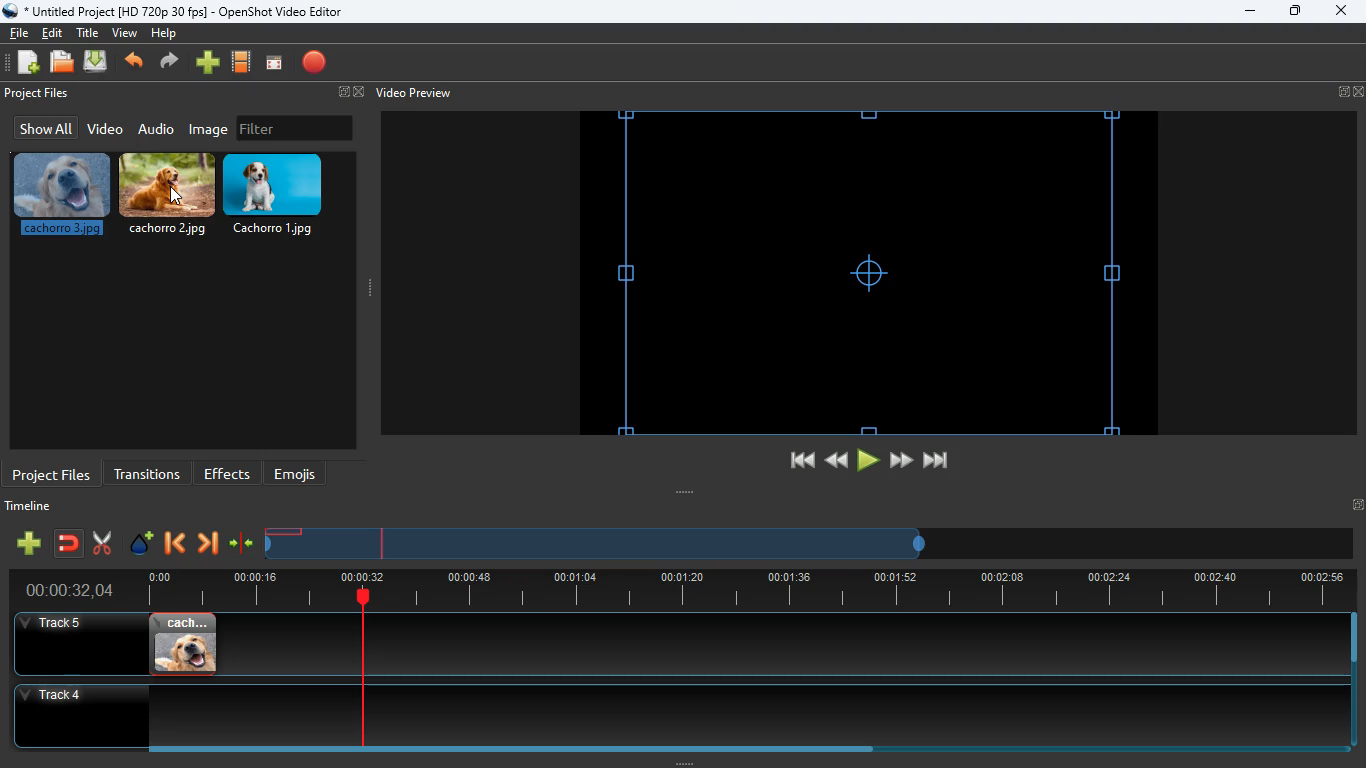 The height and width of the screenshot is (768, 1366). Describe the element at coordinates (868, 273) in the screenshot. I see `screen` at that location.